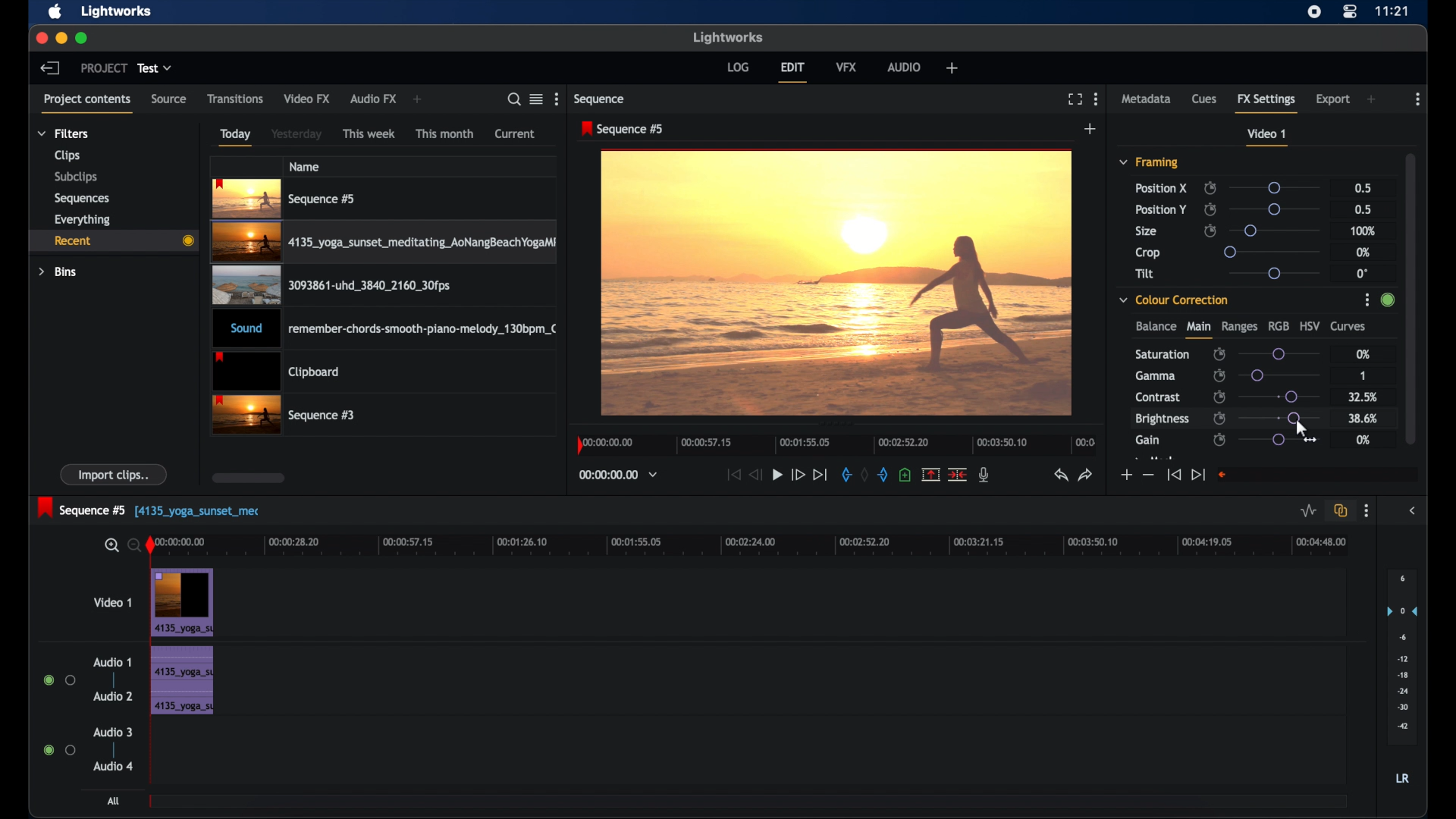  I want to click on 0, so click(1362, 274).